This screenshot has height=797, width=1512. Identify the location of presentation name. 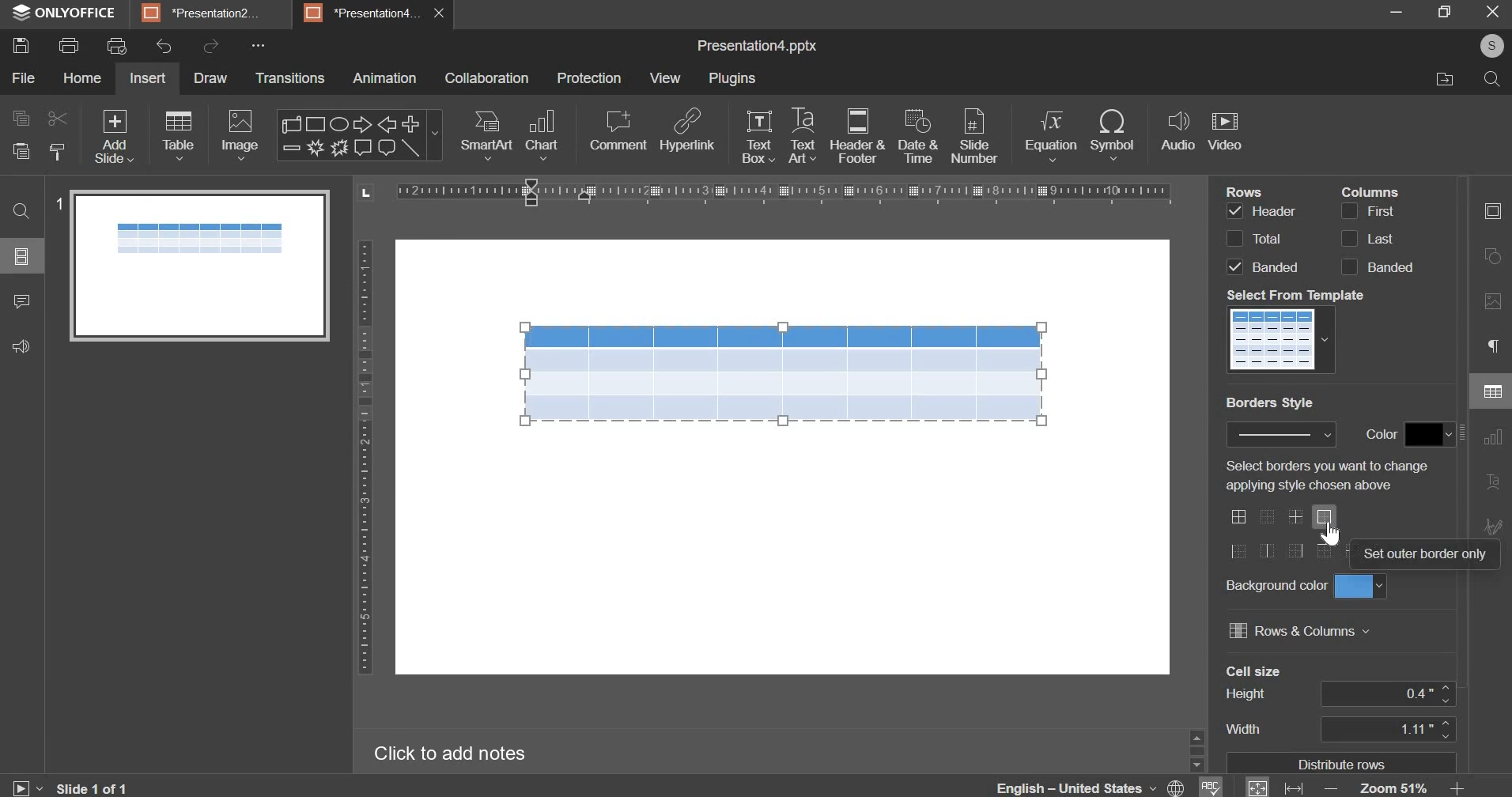
(758, 47).